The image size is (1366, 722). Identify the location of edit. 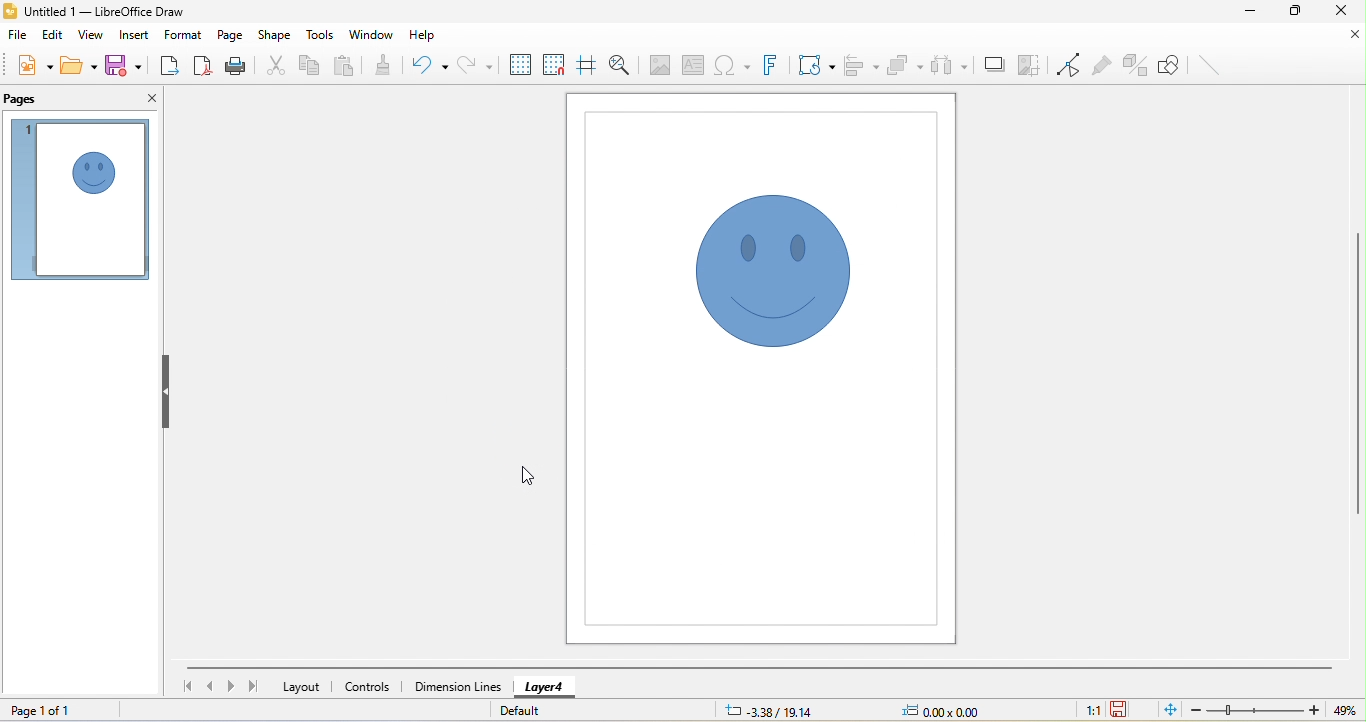
(48, 38).